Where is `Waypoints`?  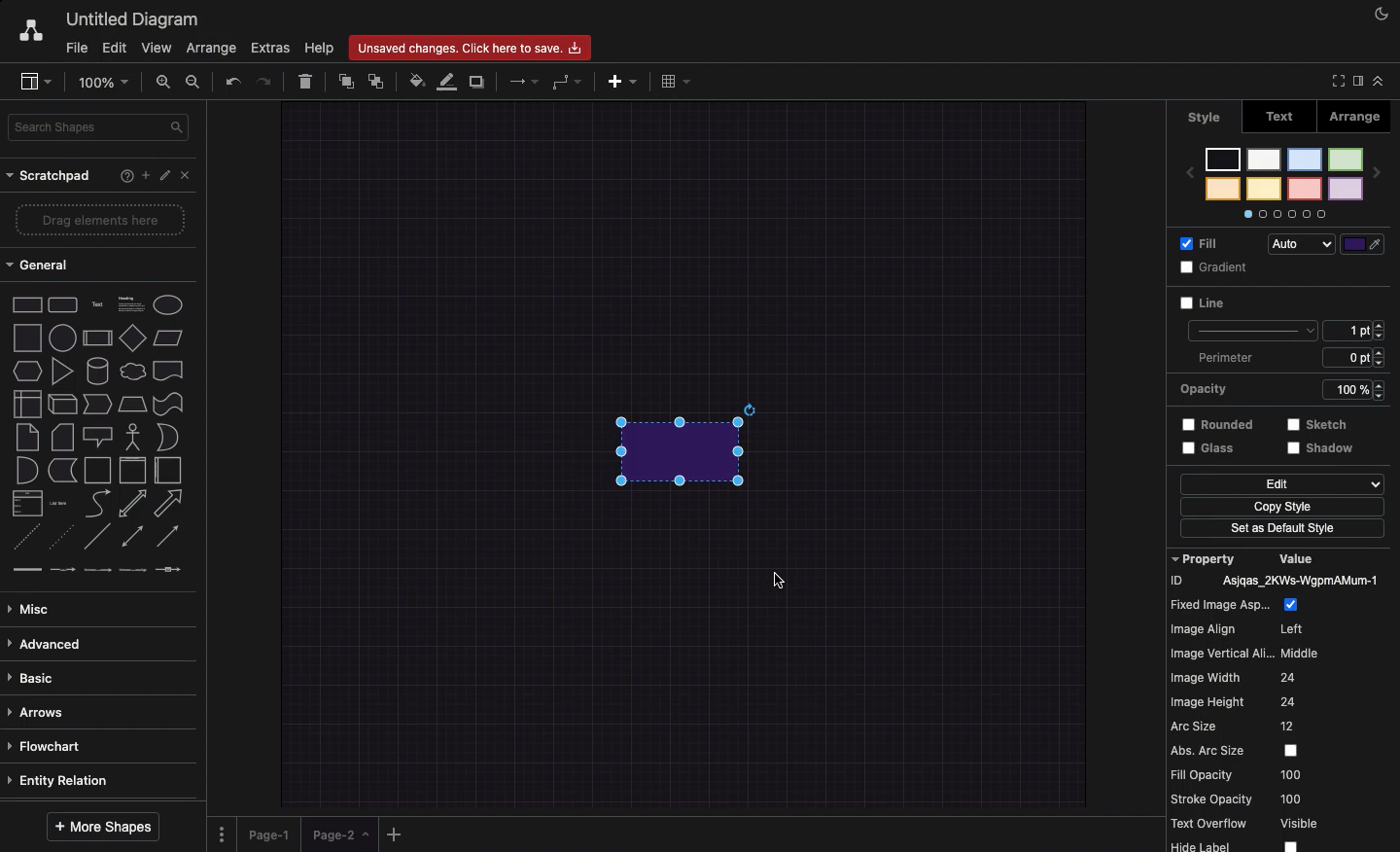
Waypoints is located at coordinates (569, 83).